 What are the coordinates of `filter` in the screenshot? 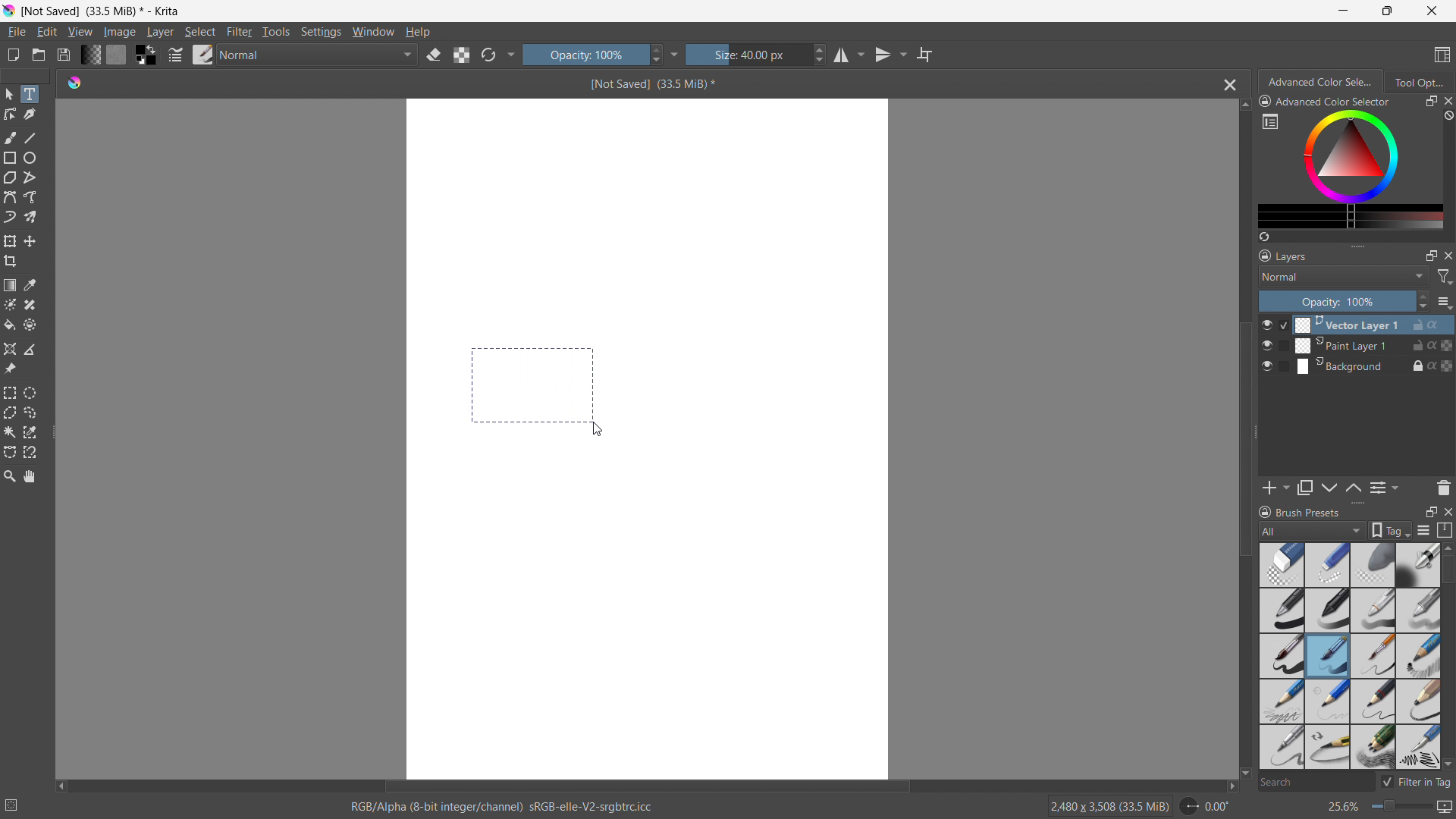 It's located at (1445, 277).